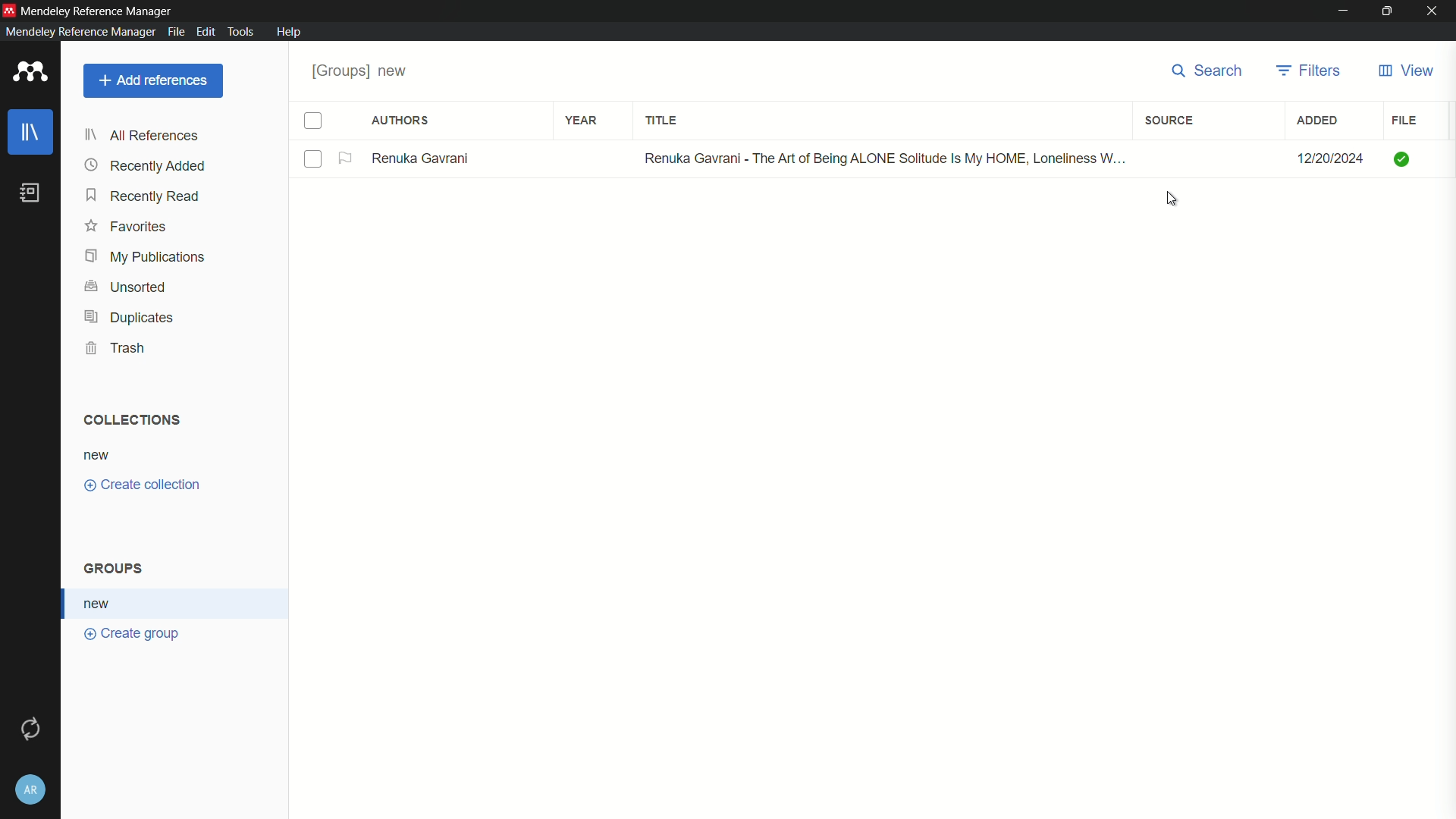 This screenshot has height=819, width=1456. I want to click on mendeley reference manager, so click(78, 32).